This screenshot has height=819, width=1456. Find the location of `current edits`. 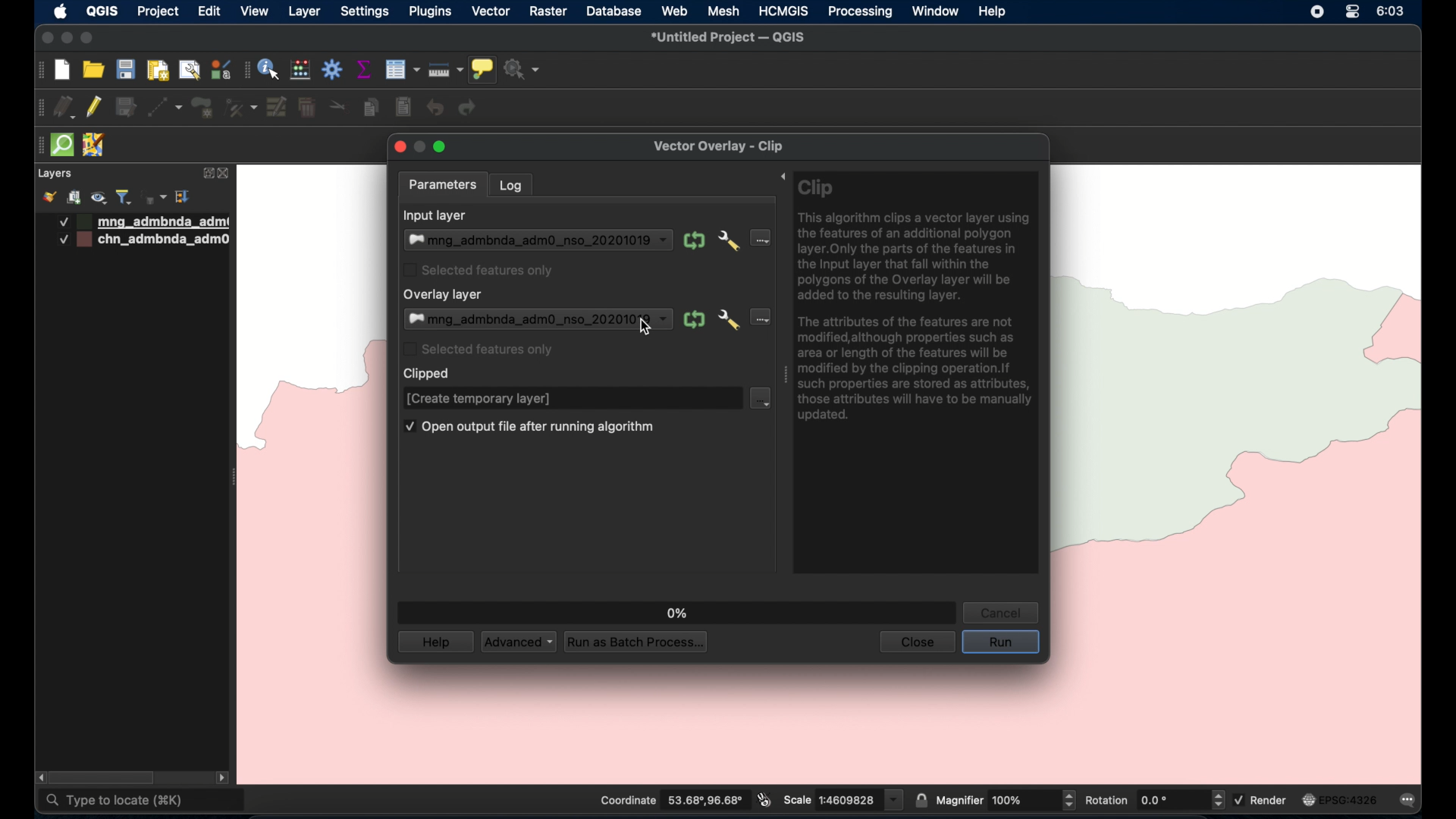

current edits is located at coordinates (65, 108).